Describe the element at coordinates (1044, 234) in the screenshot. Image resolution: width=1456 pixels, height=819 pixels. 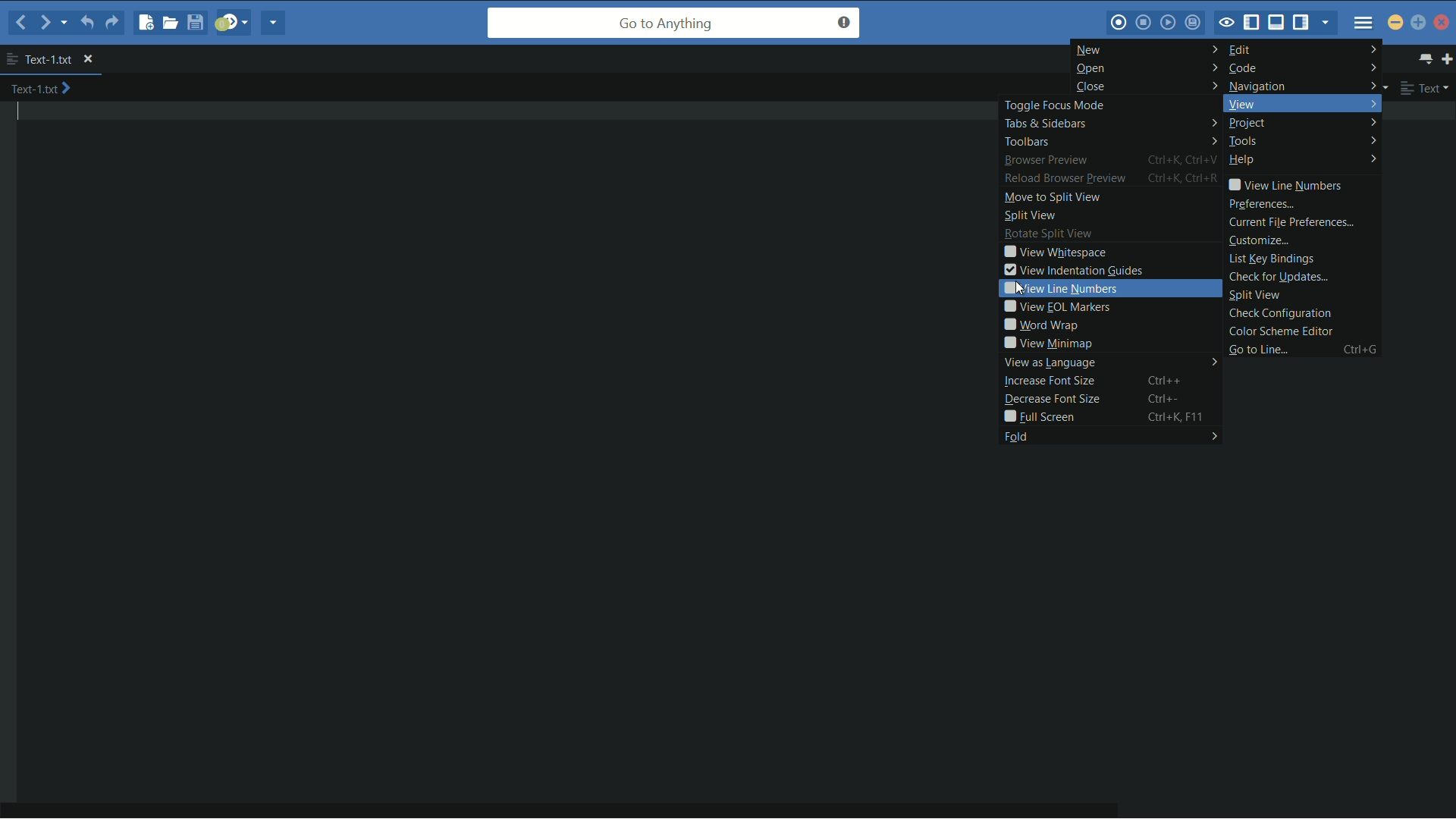
I see `rotate split view` at that location.